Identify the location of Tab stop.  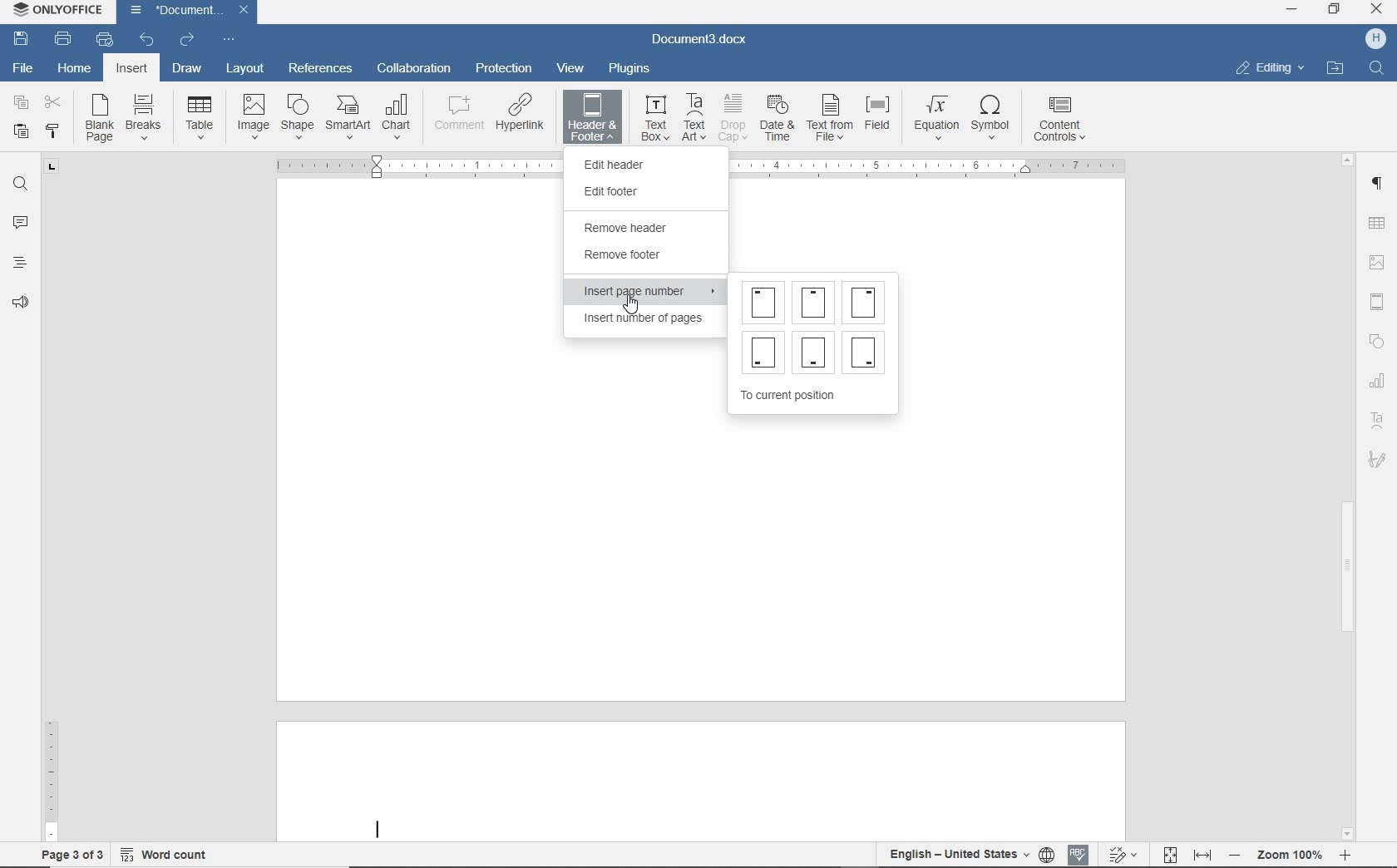
(53, 172).